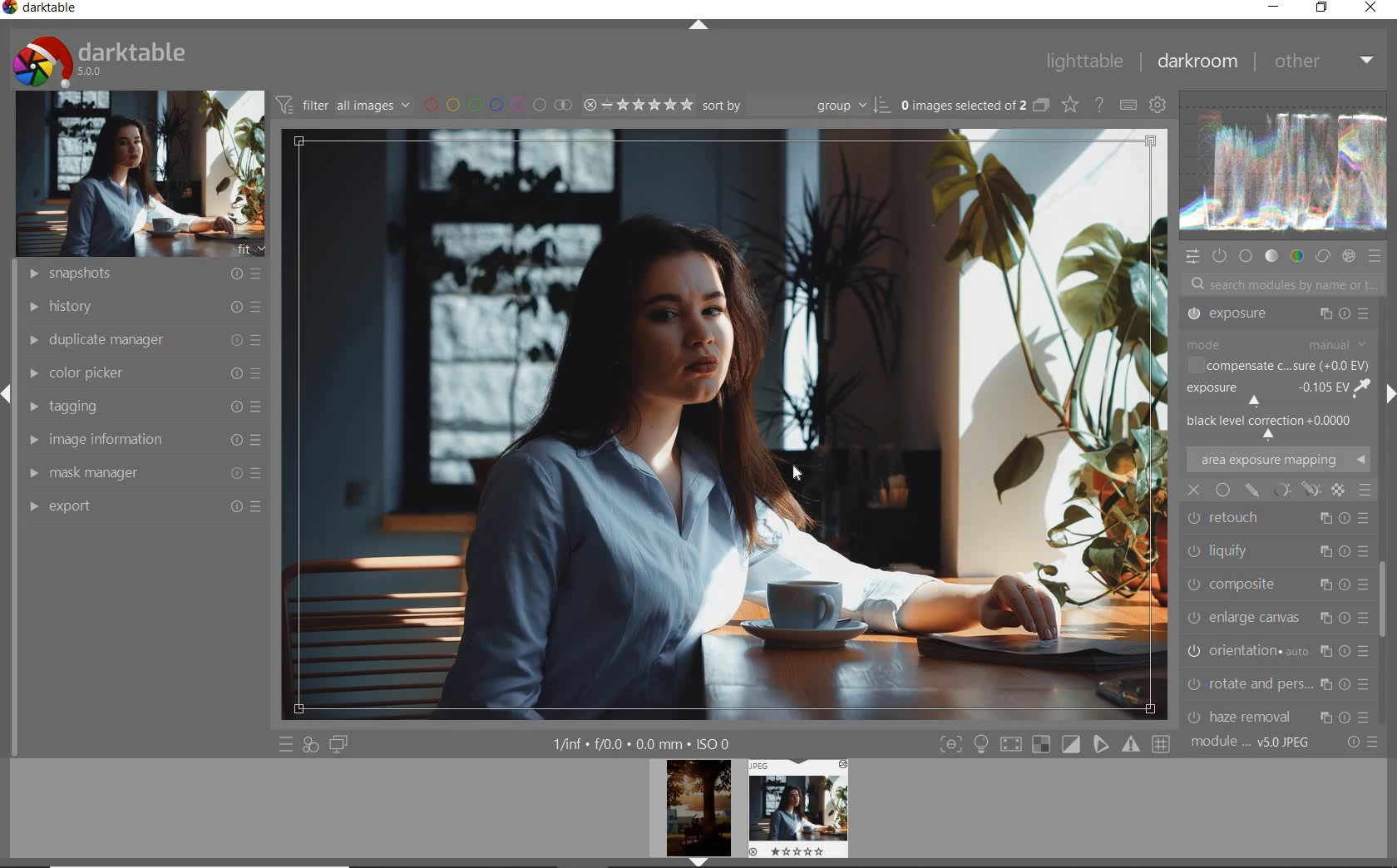 This screenshot has width=1397, height=868. I want to click on HISTORY, so click(141, 308).